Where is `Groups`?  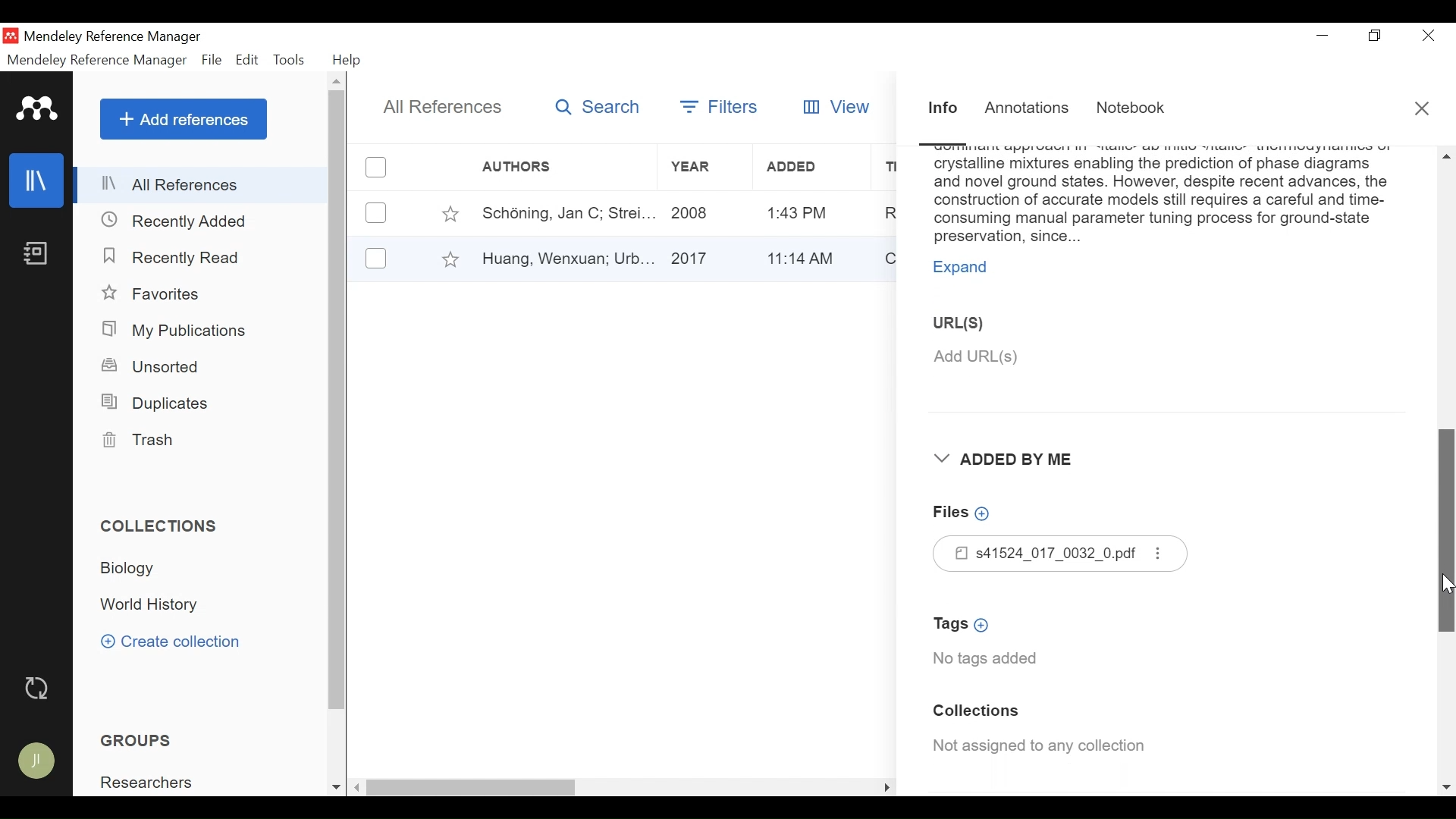
Groups is located at coordinates (140, 741).